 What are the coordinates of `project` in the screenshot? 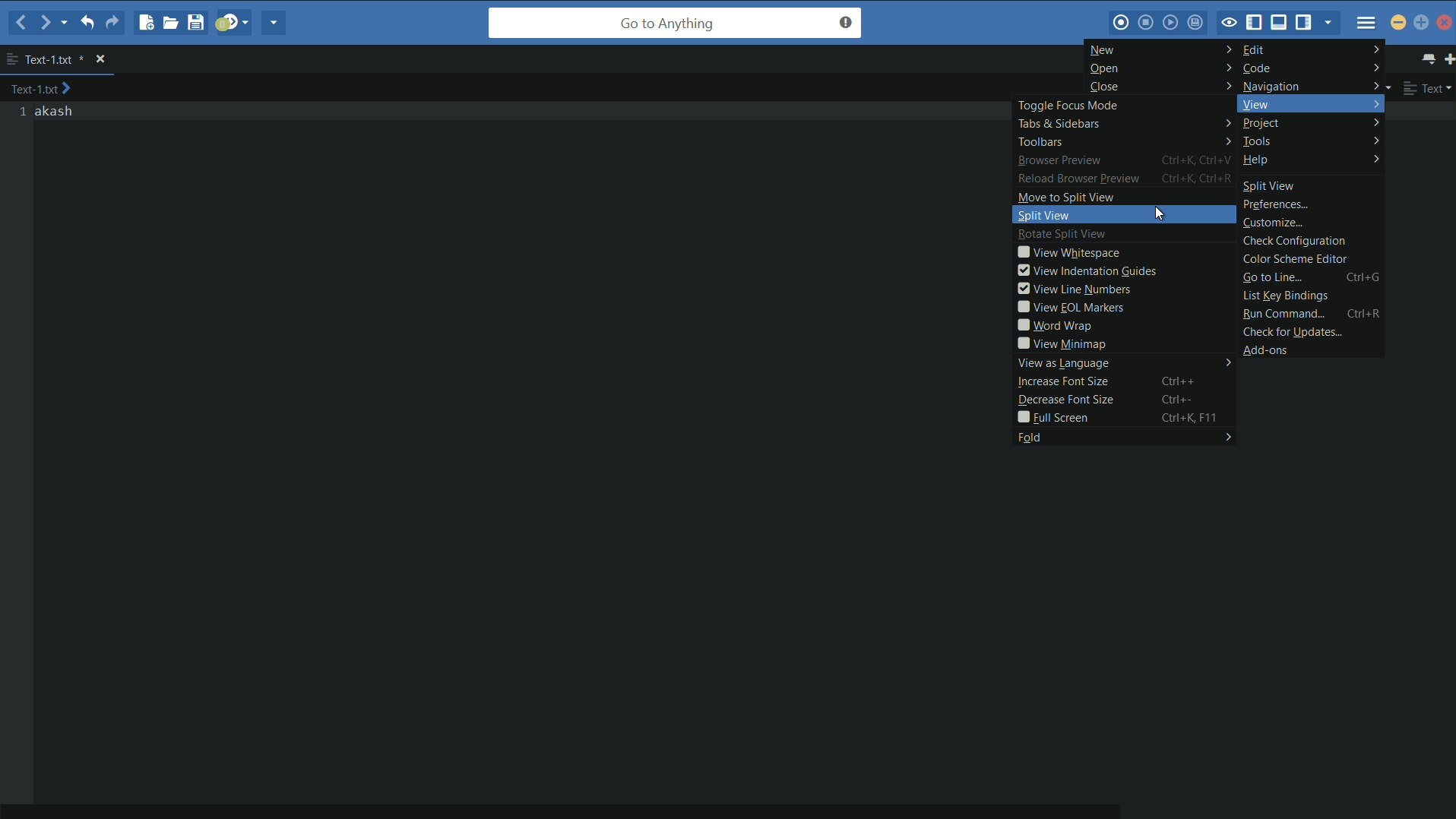 It's located at (1312, 123).